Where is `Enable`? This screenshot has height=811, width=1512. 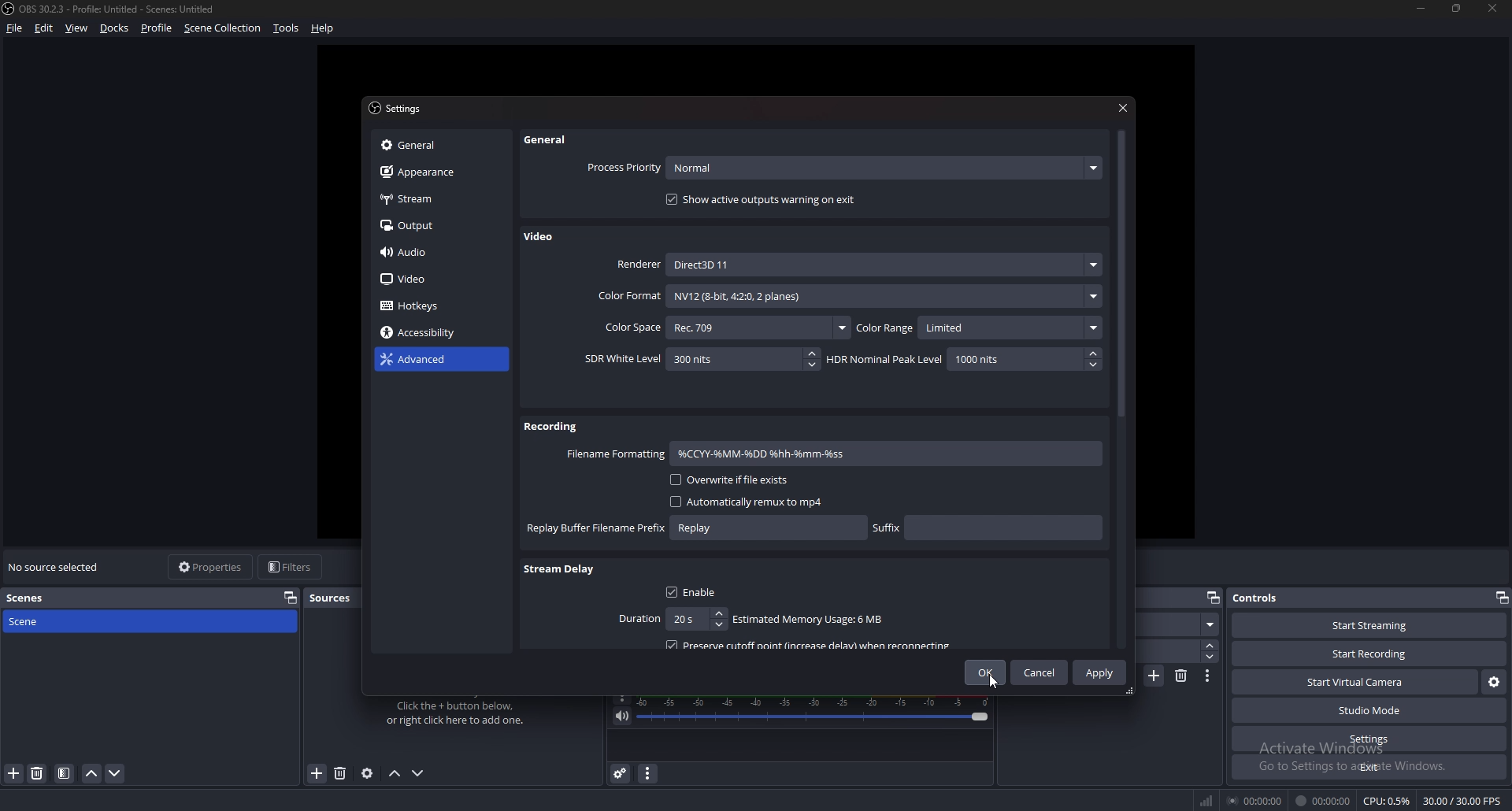 Enable is located at coordinates (697, 562).